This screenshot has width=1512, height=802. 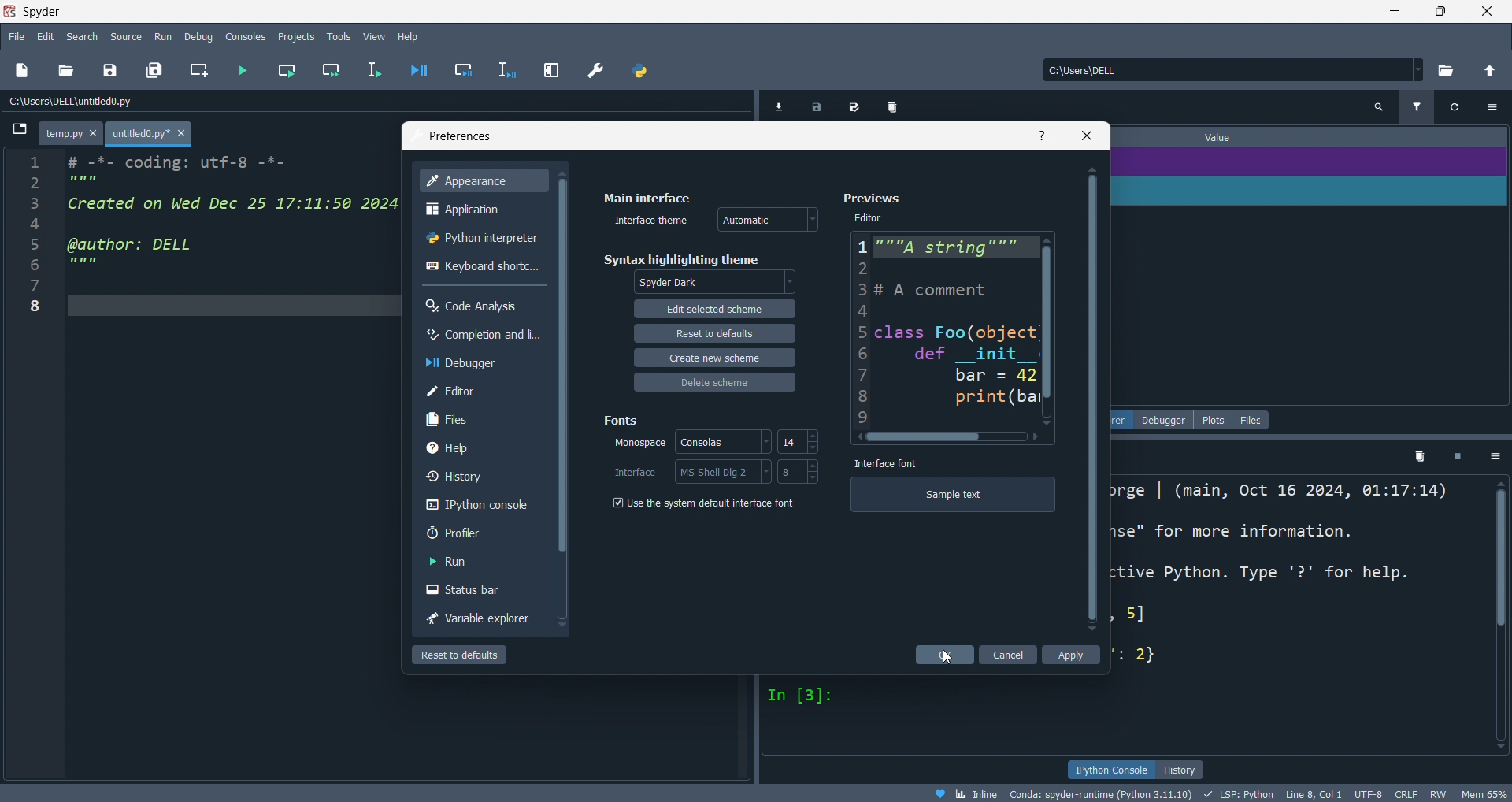 What do you see at coordinates (330, 70) in the screenshot?
I see `run cell and move` at bounding box center [330, 70].